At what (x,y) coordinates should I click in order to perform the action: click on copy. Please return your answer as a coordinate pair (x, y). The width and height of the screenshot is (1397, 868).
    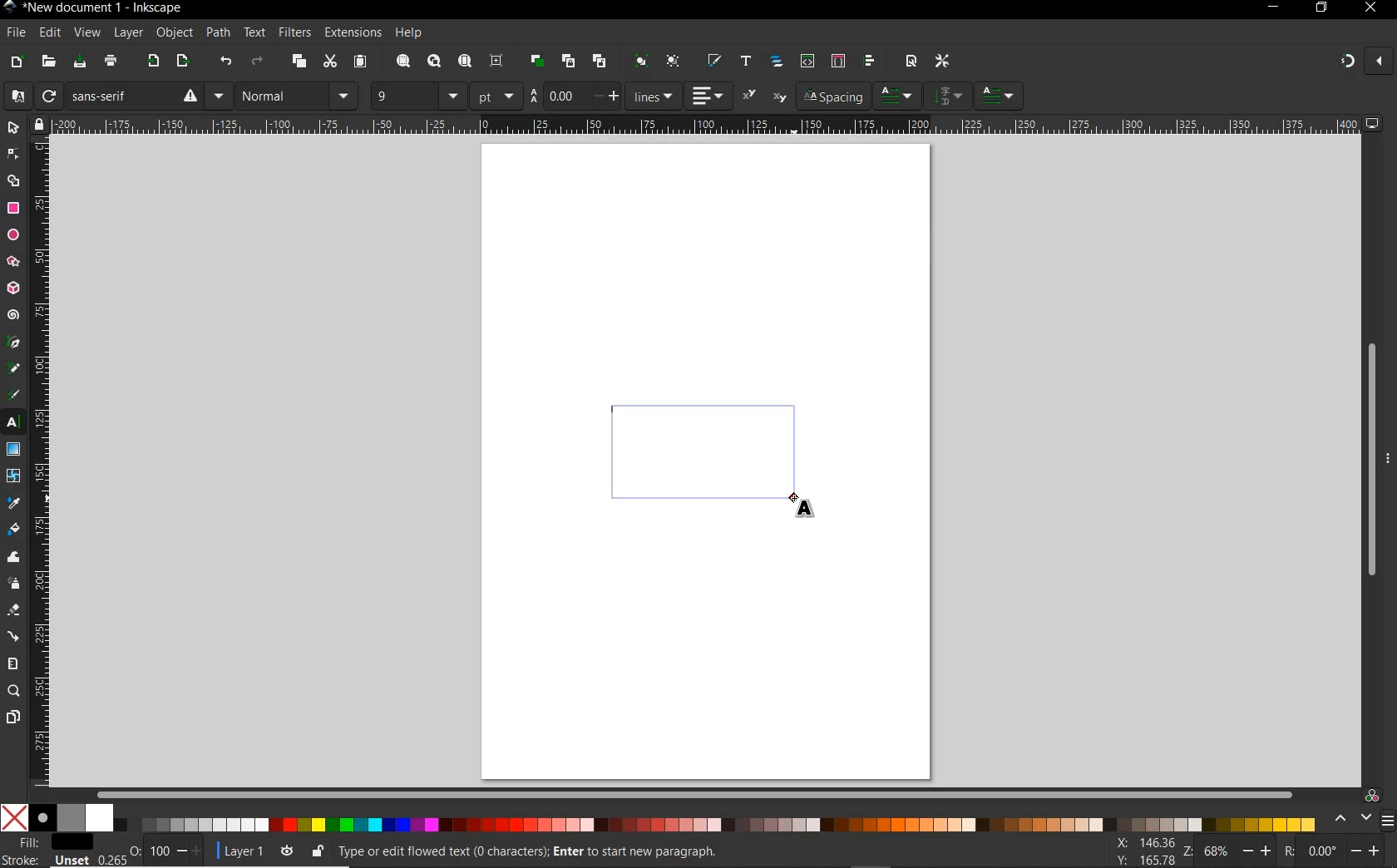
    Looking at the image, I should click on (299, 62).